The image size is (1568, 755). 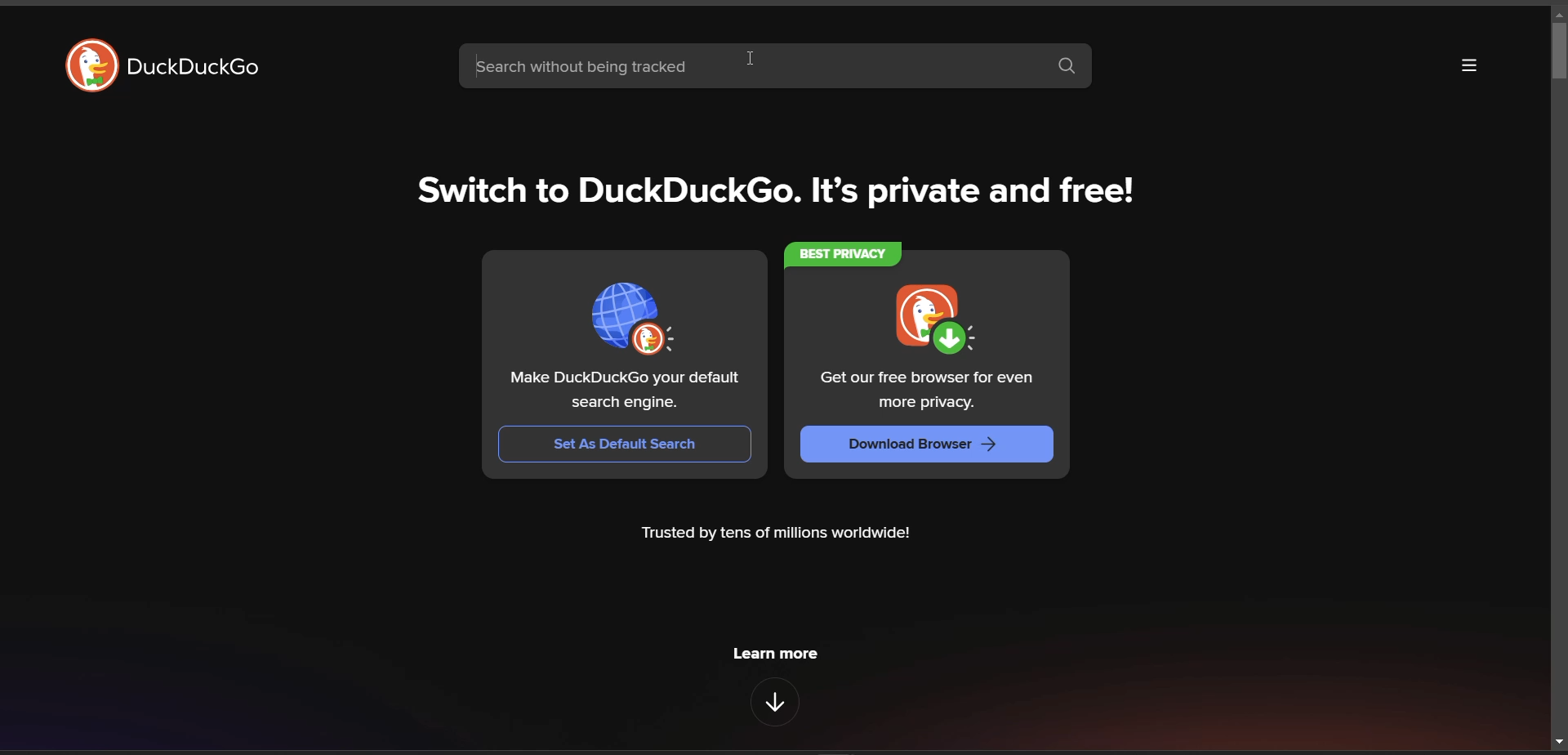 I want to click on Trusted by tens of millions worldwide!, so click(x=775, y=533).